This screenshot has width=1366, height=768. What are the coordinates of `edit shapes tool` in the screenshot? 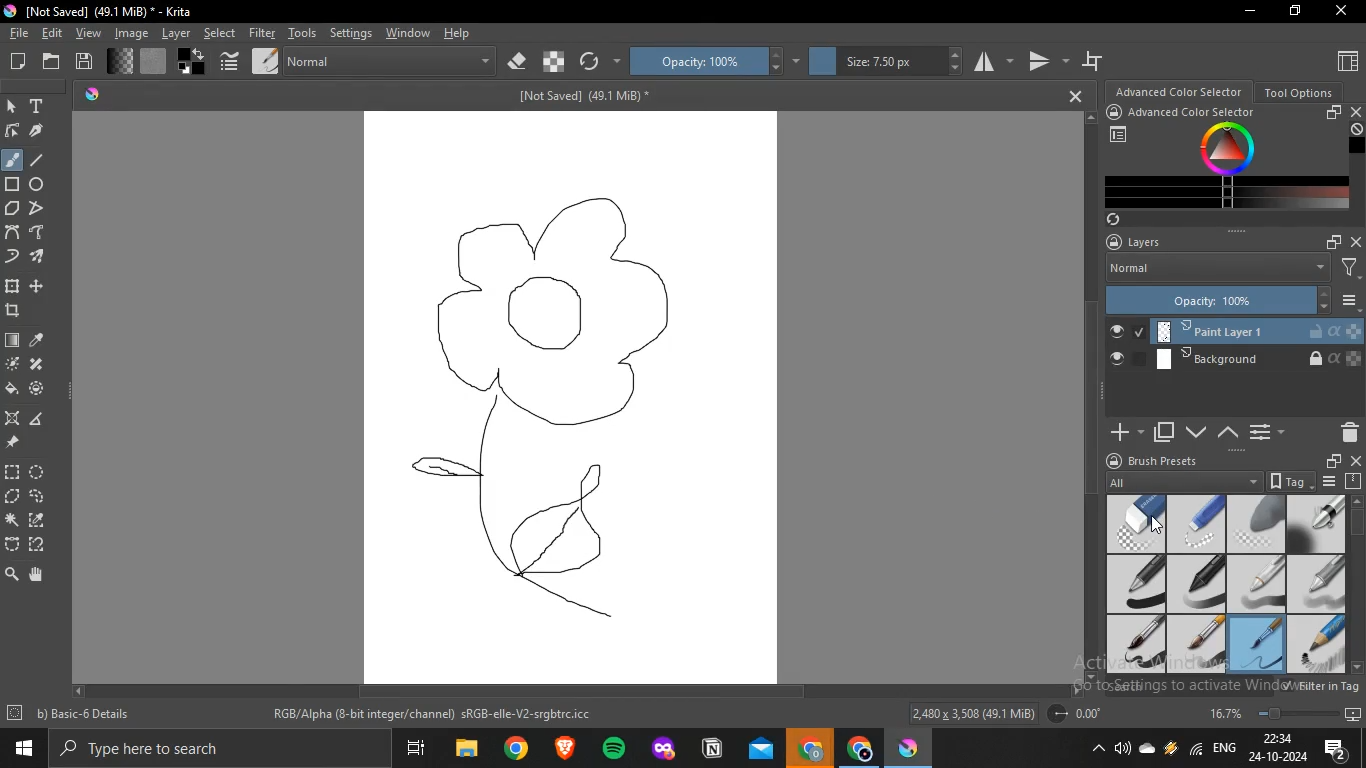 It's located at (13, 131).